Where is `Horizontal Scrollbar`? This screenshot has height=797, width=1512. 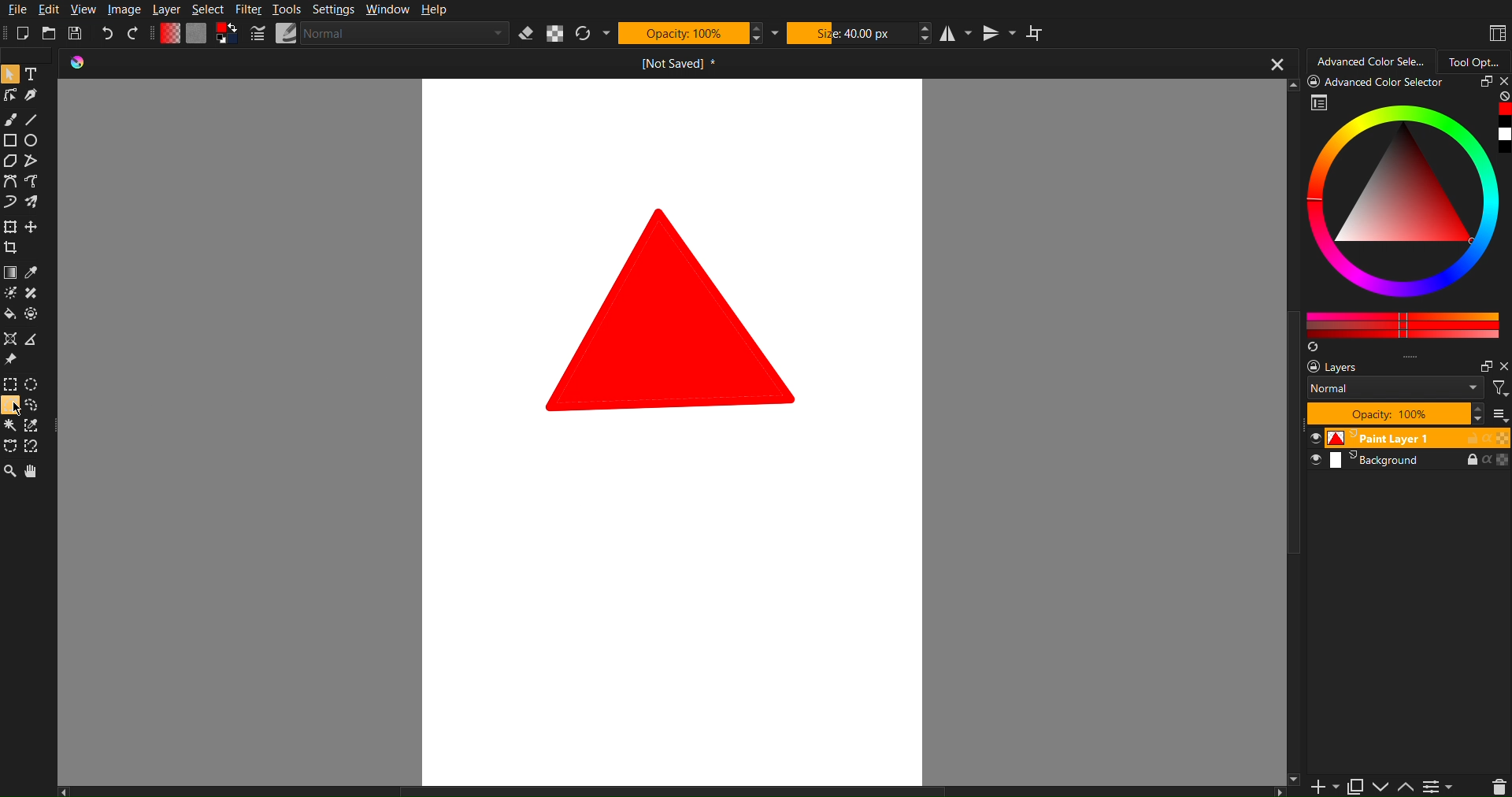 Horizontal Scrollbar is located at coordinates (675, 790).